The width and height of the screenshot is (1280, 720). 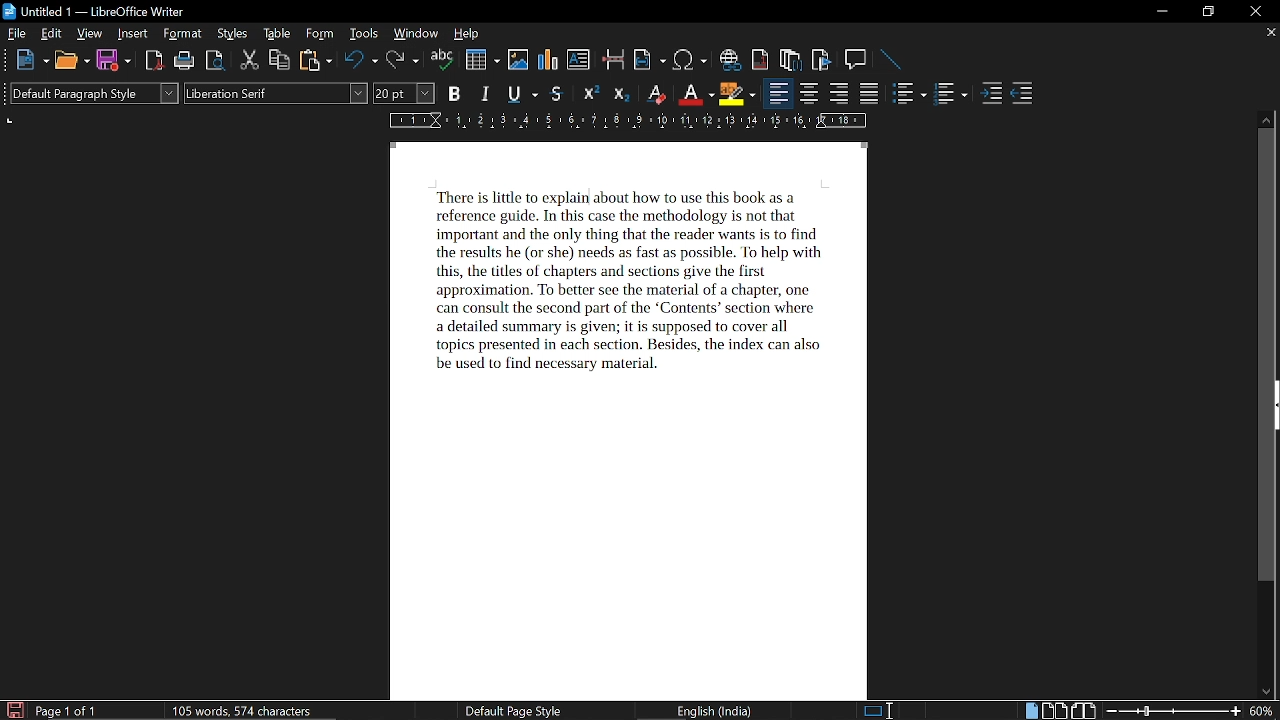 What do you see at coordinates (588, 197) in the screenshot?
I see `cursor` at bounding box center [588, 197].